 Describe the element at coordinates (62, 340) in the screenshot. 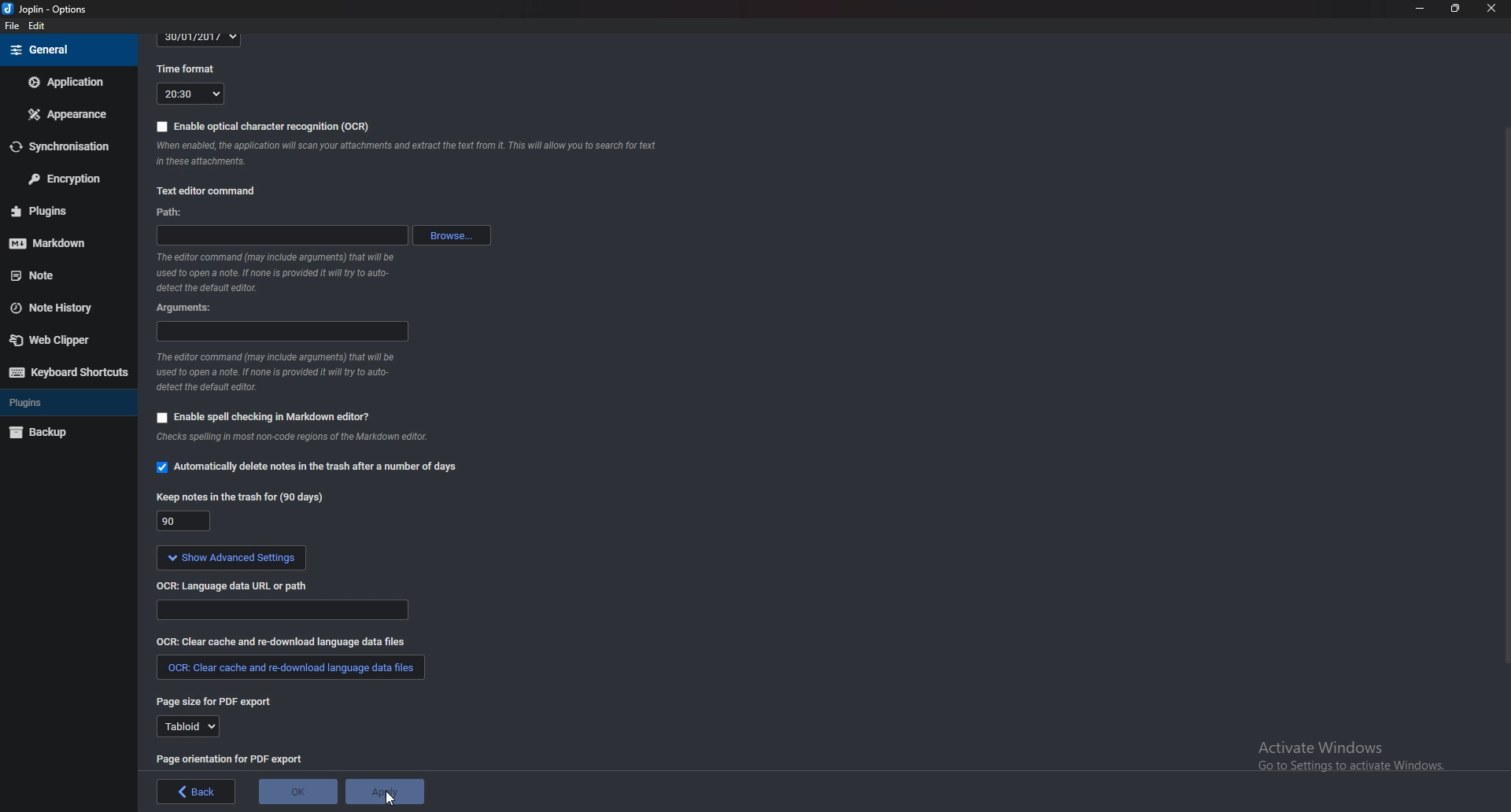

I see `Web clipper` at that location.